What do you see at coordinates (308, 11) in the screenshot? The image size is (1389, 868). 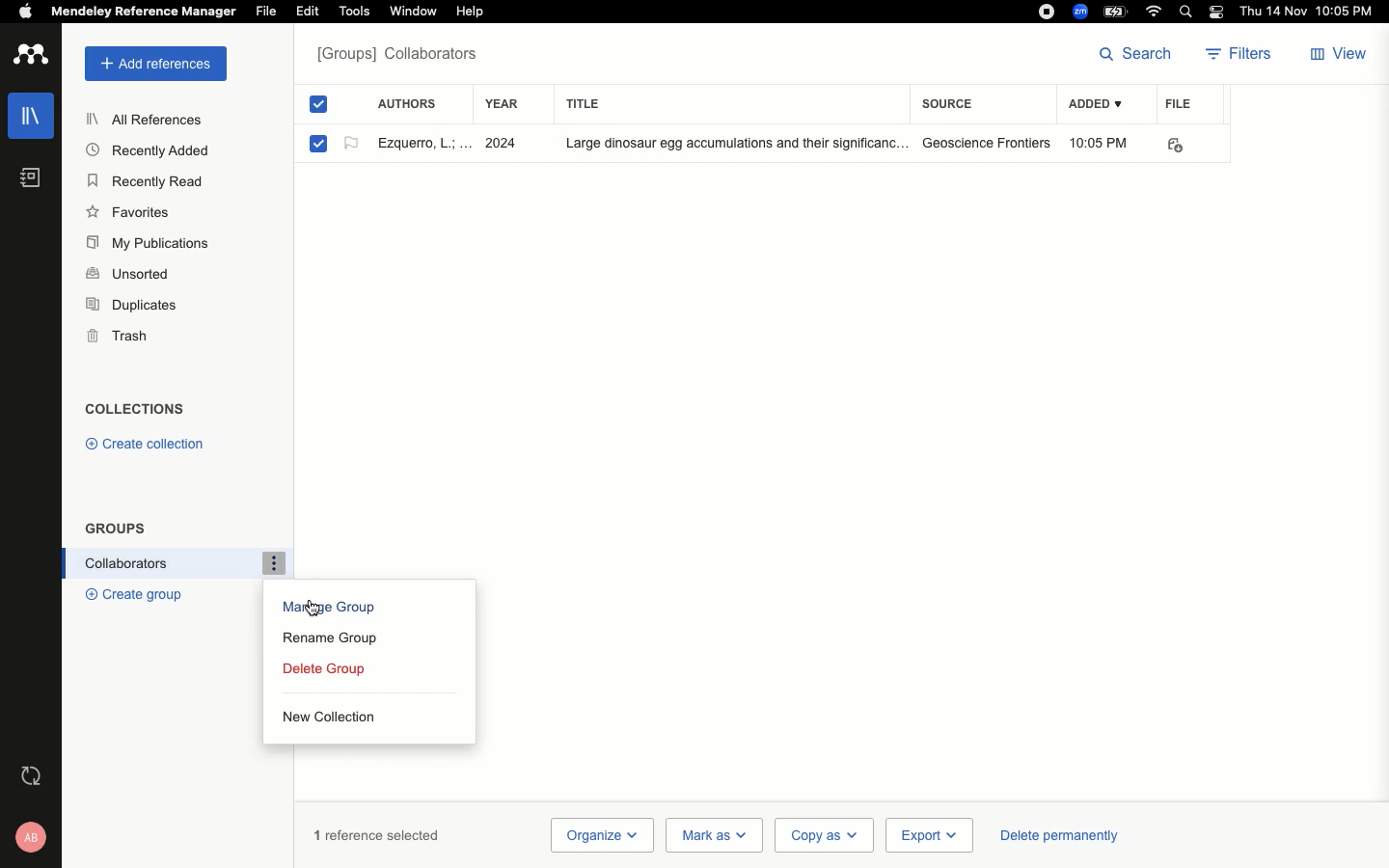 I see `Edit` at bounding box center [308, 11].